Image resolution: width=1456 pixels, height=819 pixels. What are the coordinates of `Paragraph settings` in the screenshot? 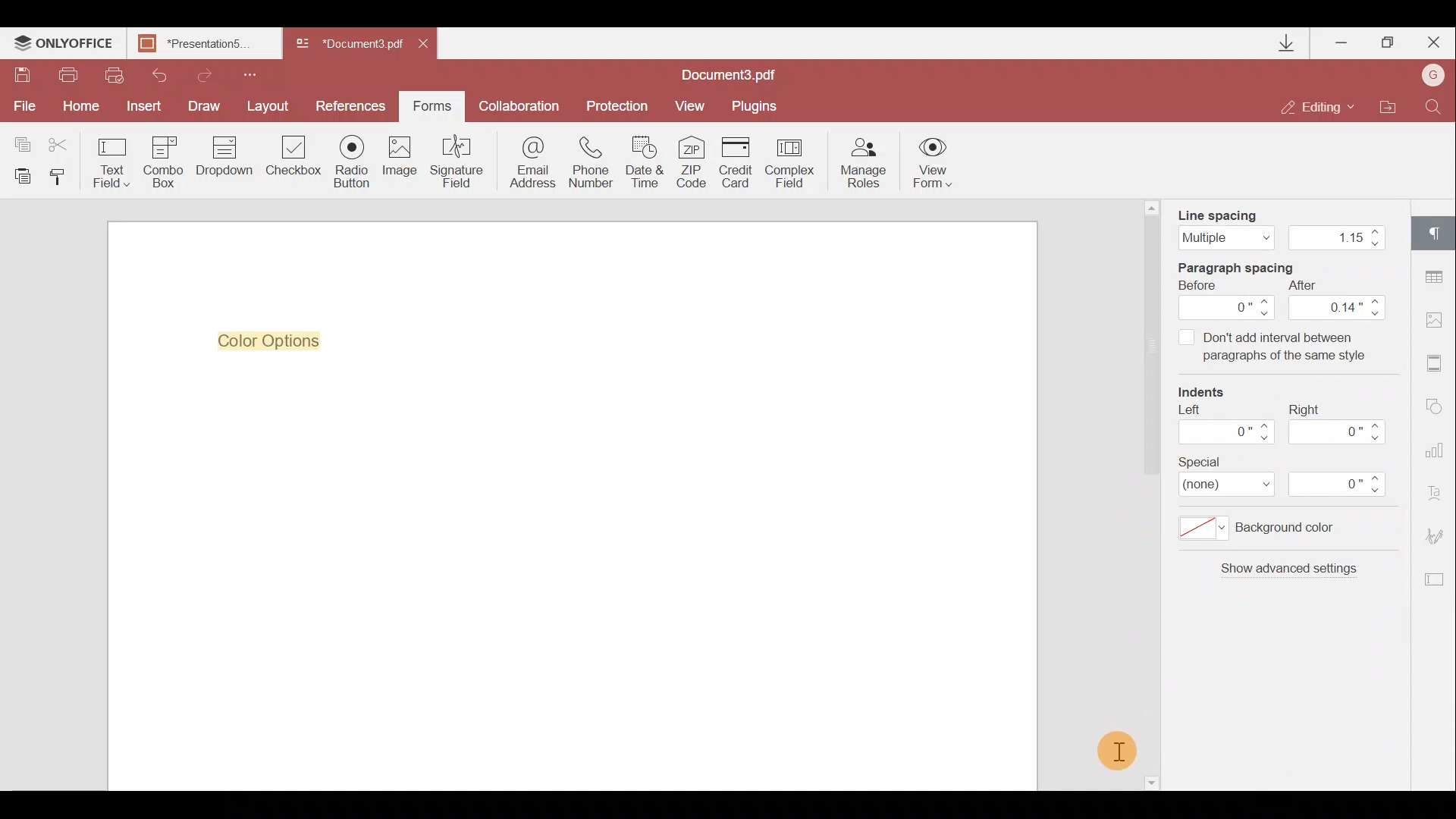 It's located at (1435, 231).